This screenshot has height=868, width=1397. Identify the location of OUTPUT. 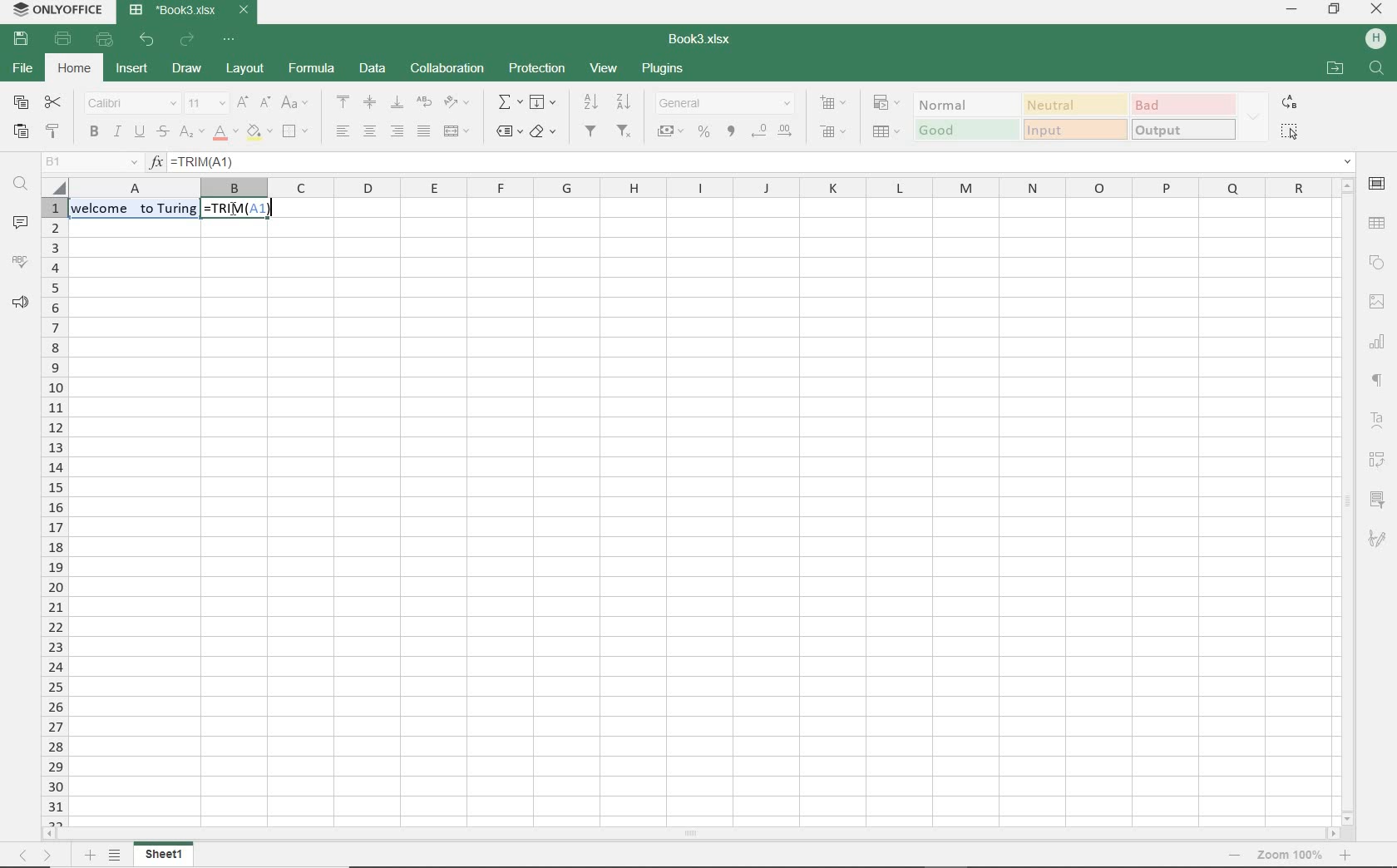
(1182, 130).